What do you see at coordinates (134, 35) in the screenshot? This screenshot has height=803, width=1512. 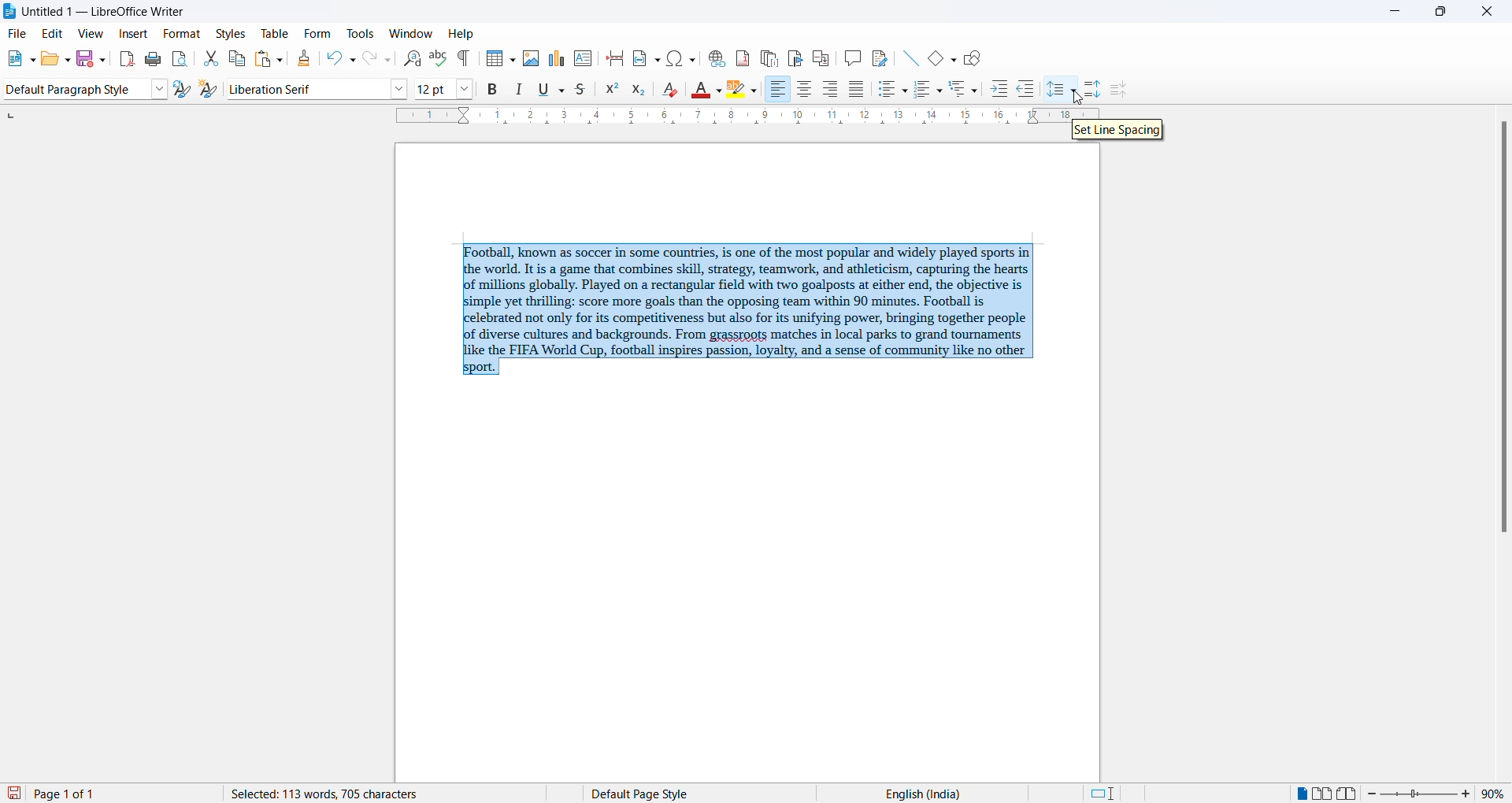 I see `insert` at bounding box center [134, 35].